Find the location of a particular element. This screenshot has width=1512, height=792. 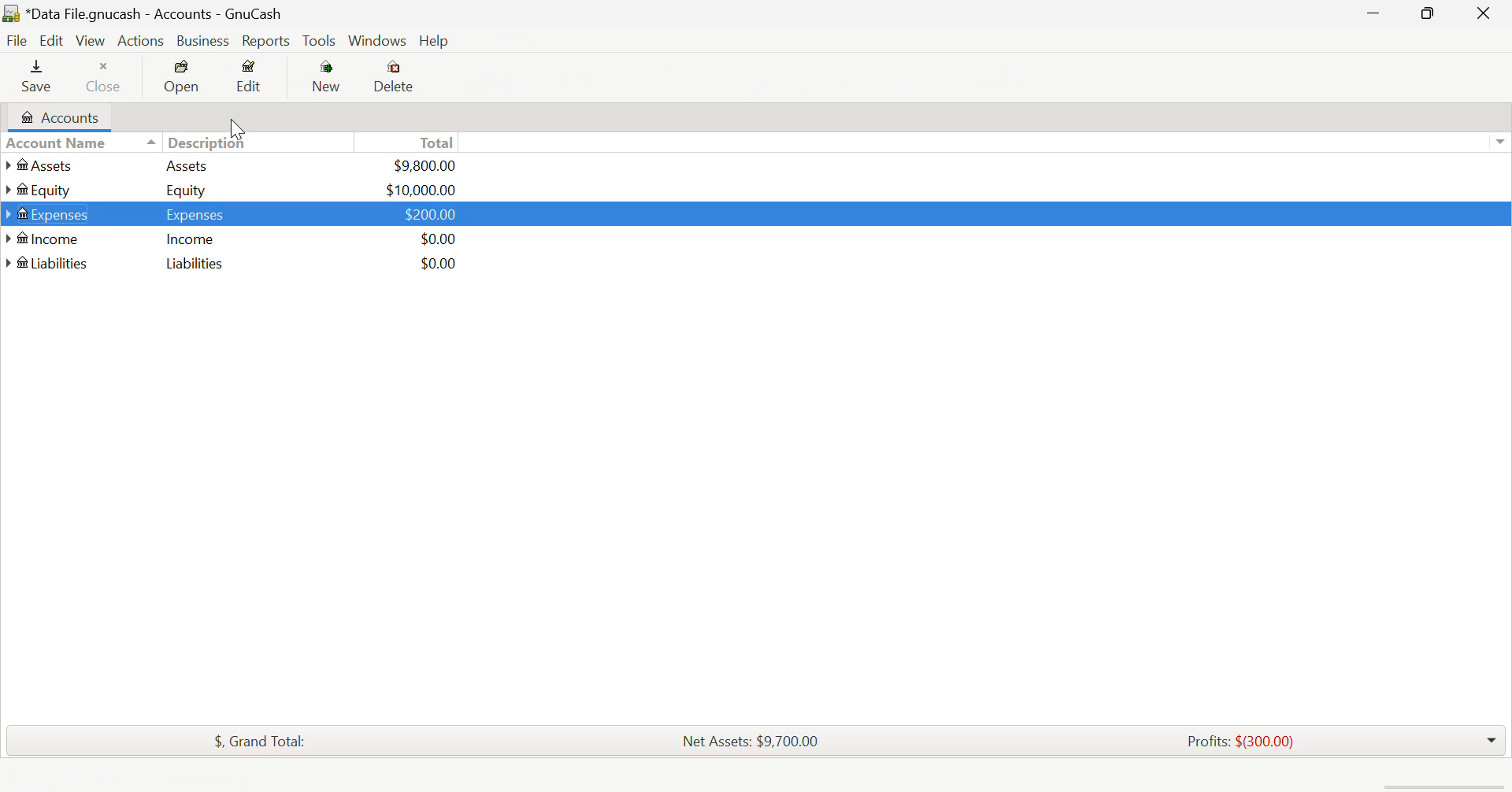

 is located at coordinates (330, 79).